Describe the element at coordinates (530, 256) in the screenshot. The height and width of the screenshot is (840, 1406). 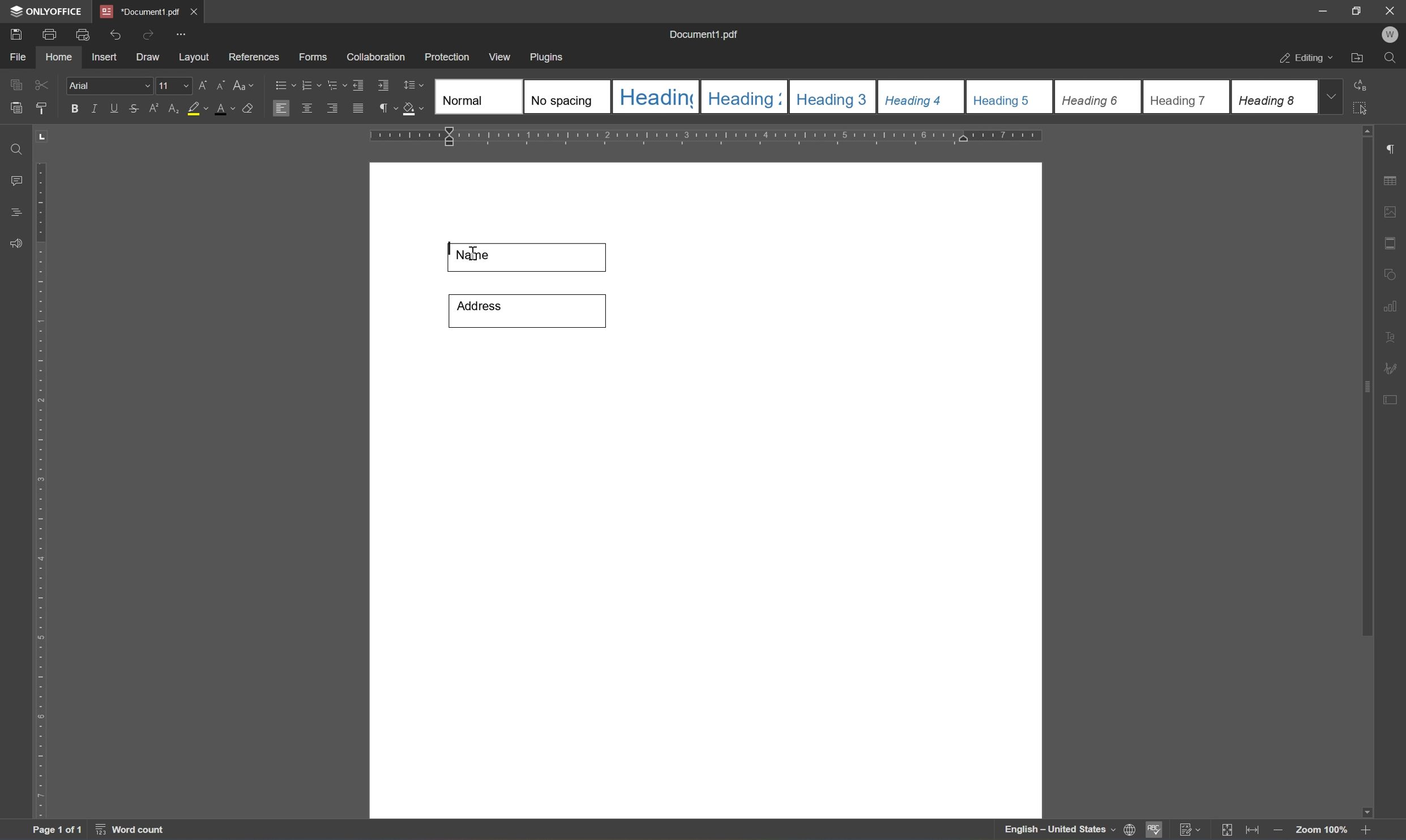
I see `Name` at that location.